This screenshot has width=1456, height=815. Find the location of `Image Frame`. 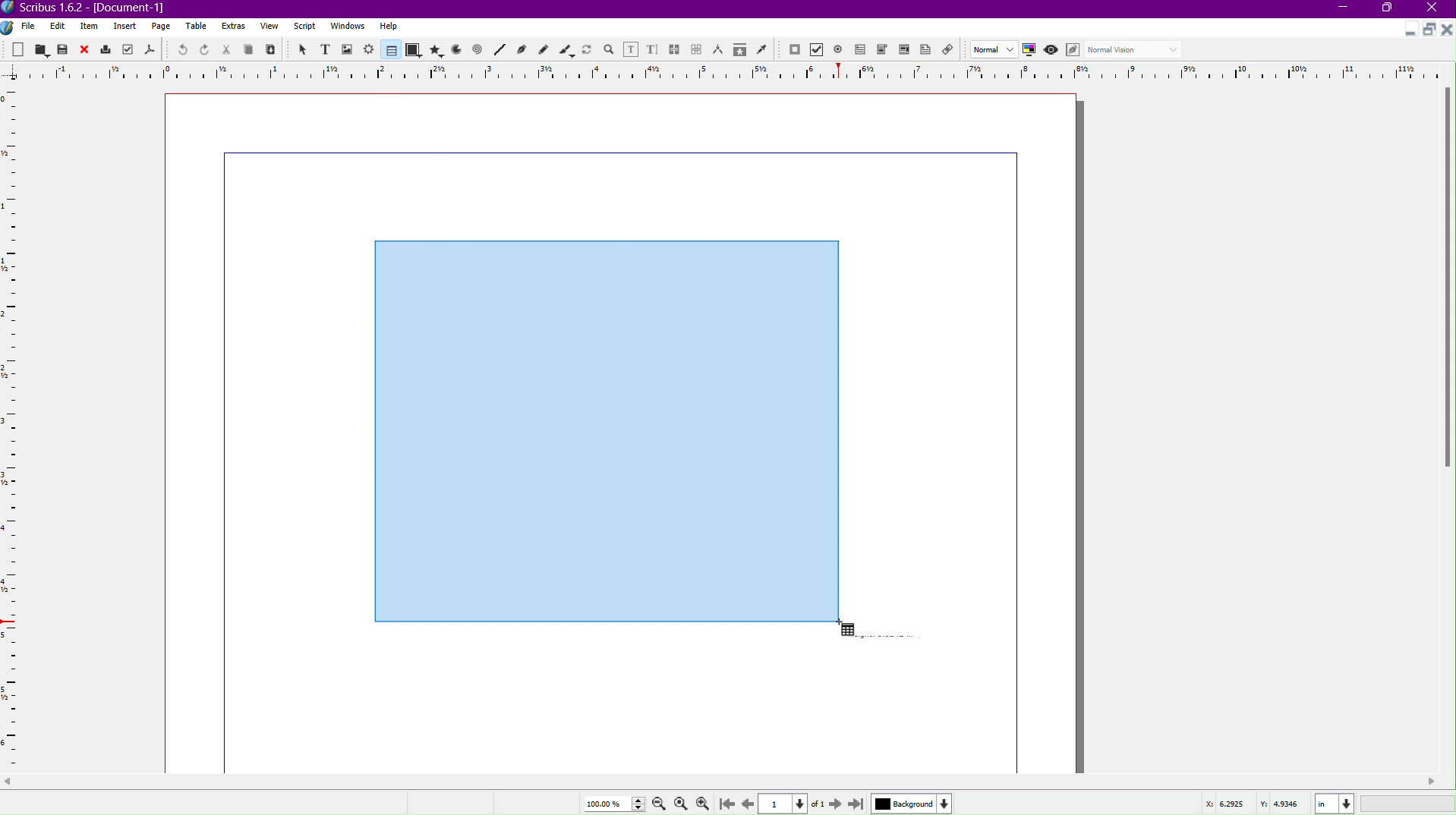

Image Frame is located at coordinates (348, 49).